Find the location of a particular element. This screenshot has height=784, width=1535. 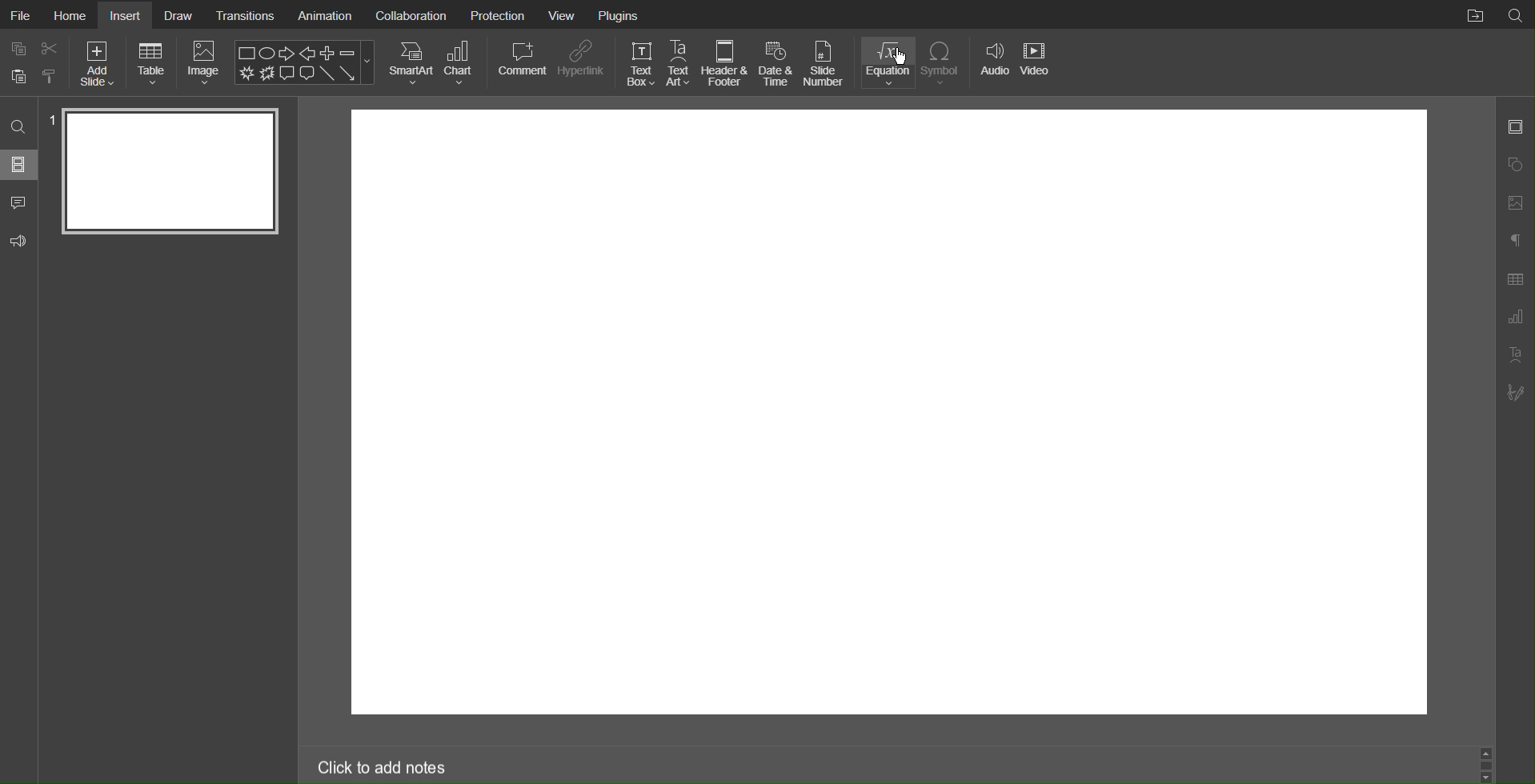

Click to add notes is located at coordinates (381, 770).